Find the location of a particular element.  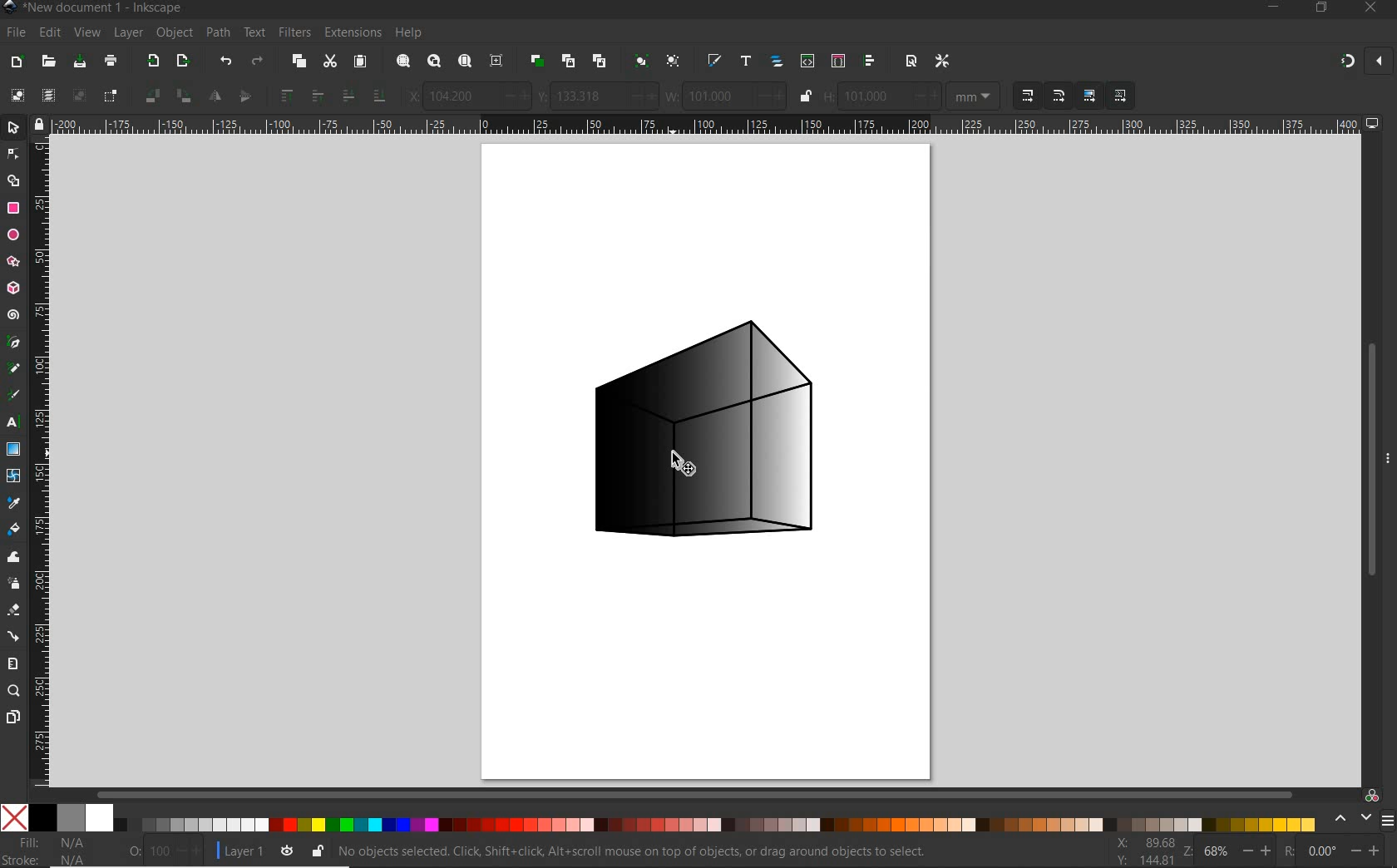

101 is located at coordinates (872, 97).